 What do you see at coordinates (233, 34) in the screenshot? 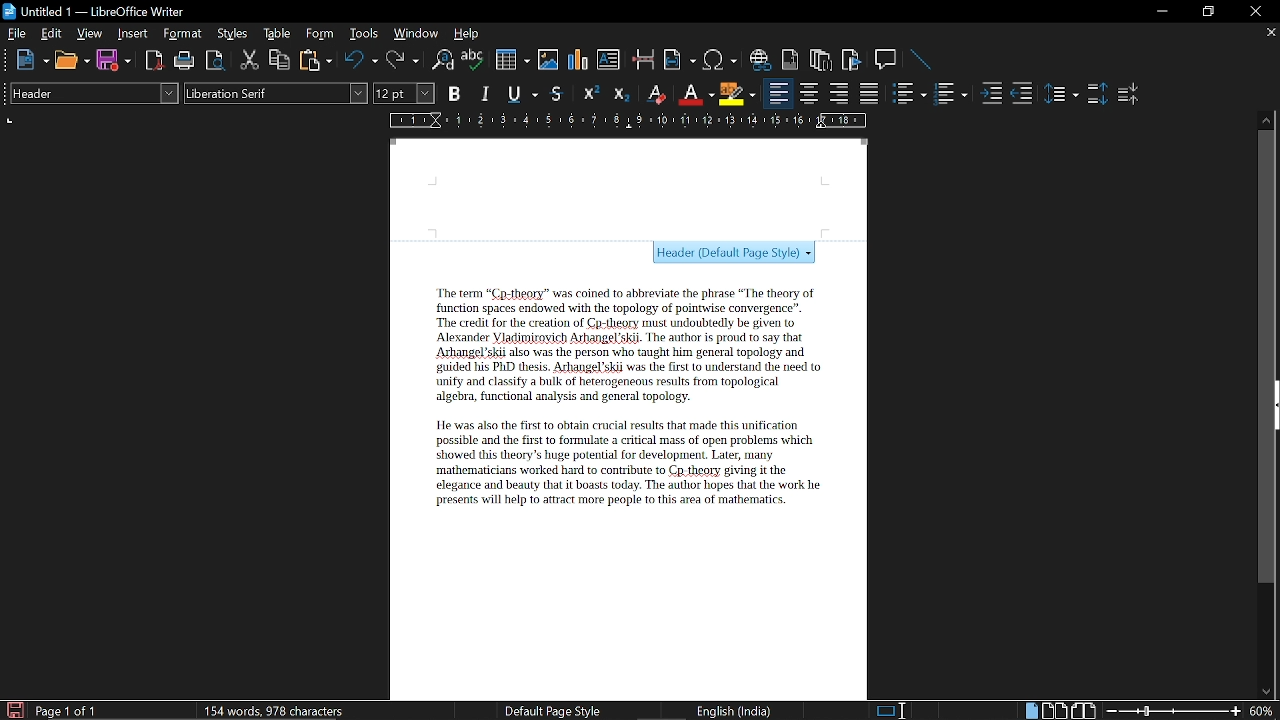
I see `Styles` at bounding box center [233, 34].